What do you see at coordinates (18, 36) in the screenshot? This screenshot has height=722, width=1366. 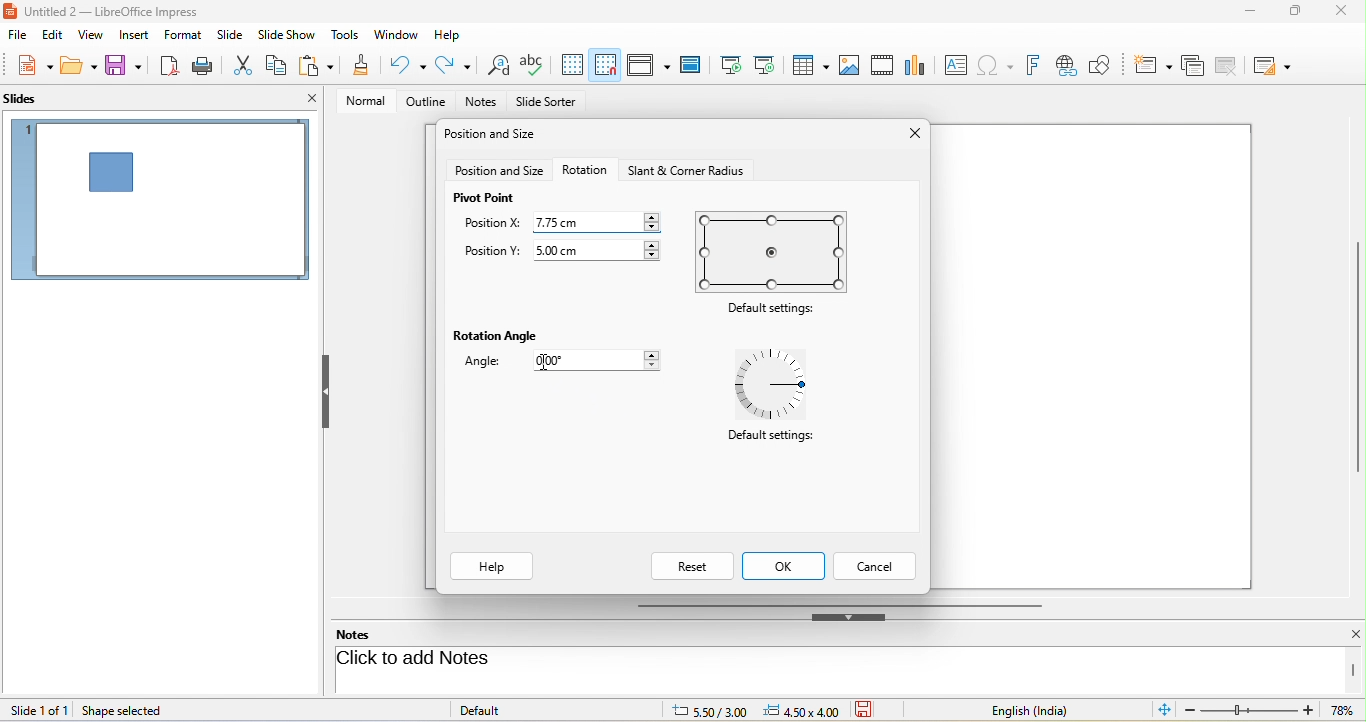 I see `file` at bounding box center [18, 36].